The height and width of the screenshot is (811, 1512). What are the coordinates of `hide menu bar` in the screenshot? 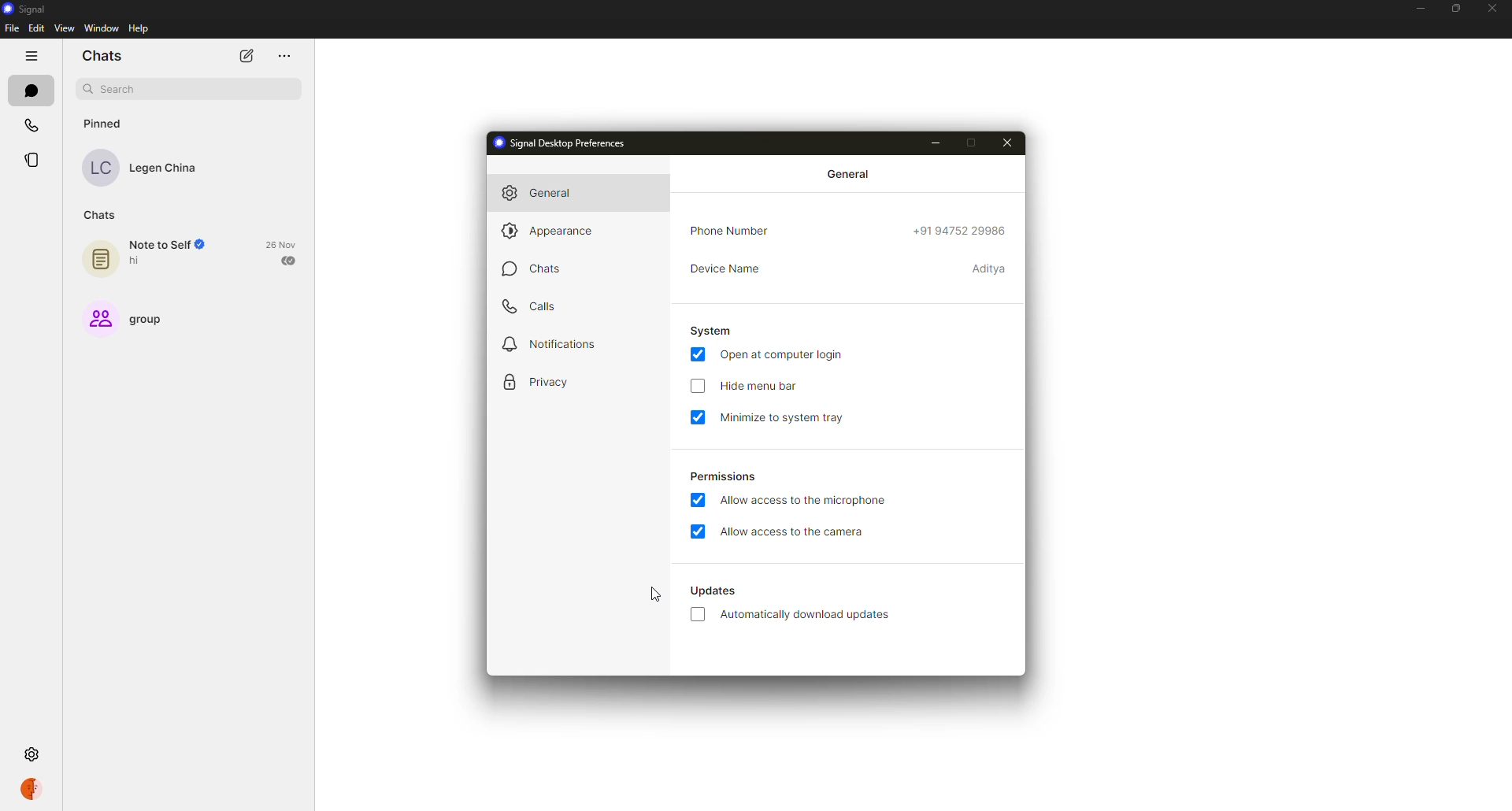 It's located at (759, 387).